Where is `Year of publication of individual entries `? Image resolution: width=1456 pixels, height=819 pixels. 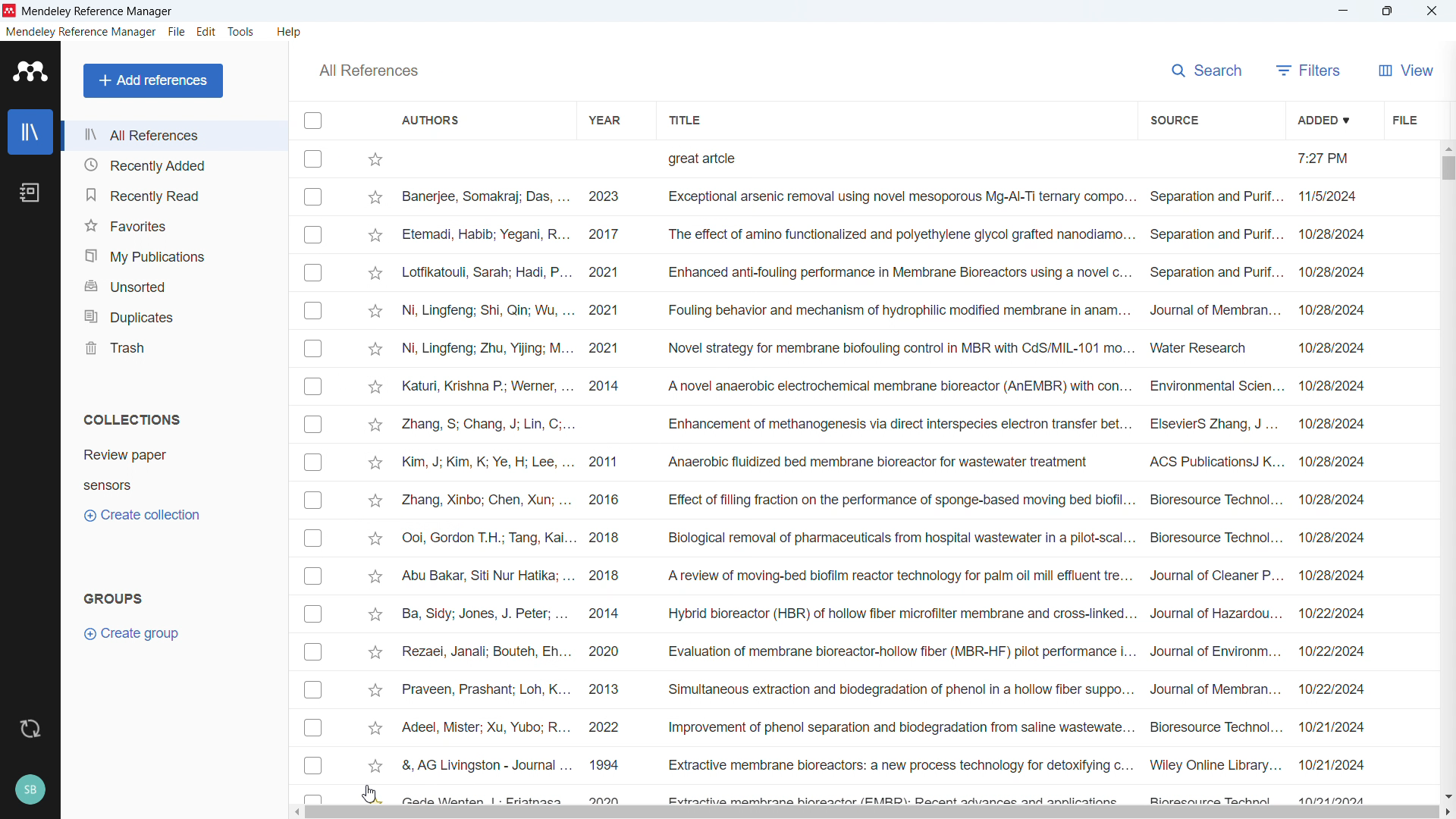
Year of publication of individual entries  is located at coordinates (604, 493).